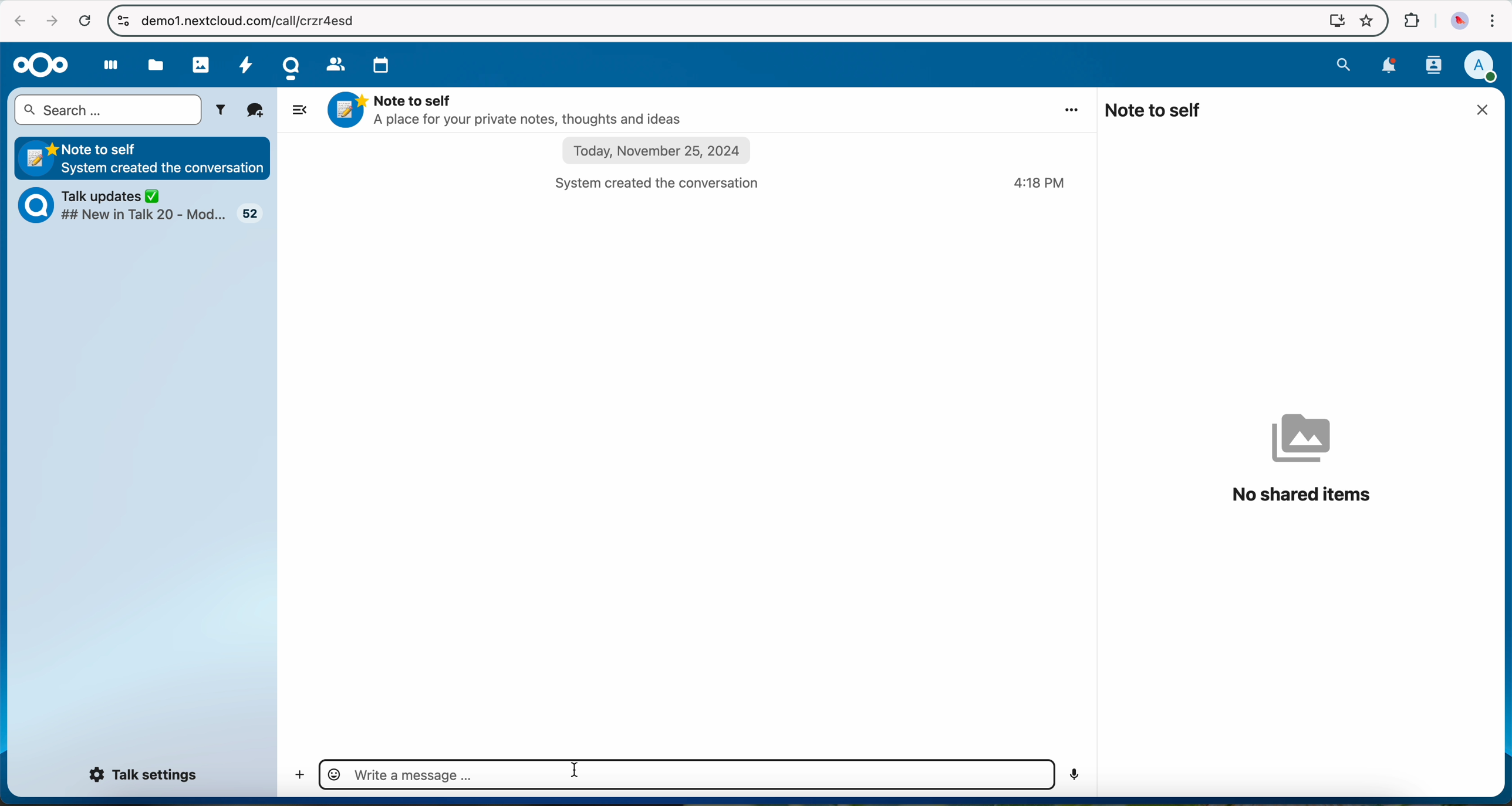 This screenshot has width=1512, height=806. What do you see at coordinates (1493, 21) in the screenshot?
I see `customize and control Google Chrome` at bounding box center [1493, 21].